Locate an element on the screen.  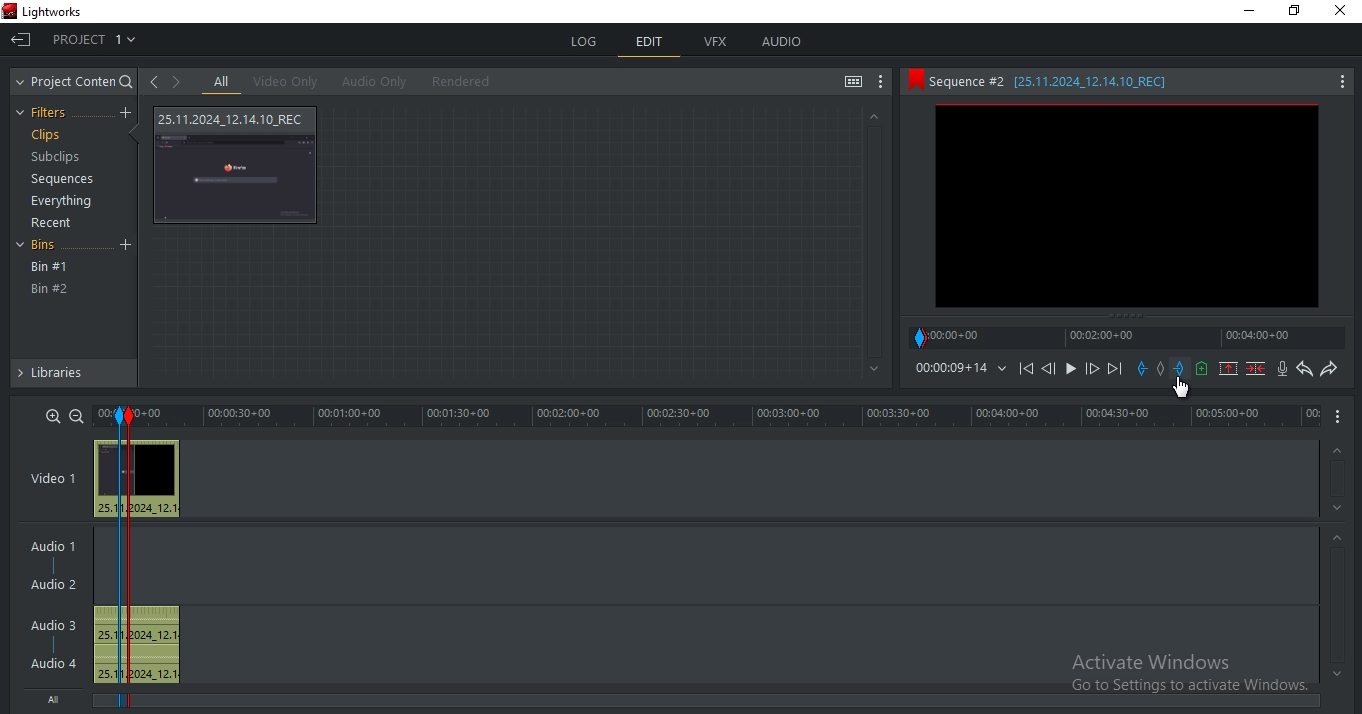
Audio 3 is located at coordinates (51, 623).